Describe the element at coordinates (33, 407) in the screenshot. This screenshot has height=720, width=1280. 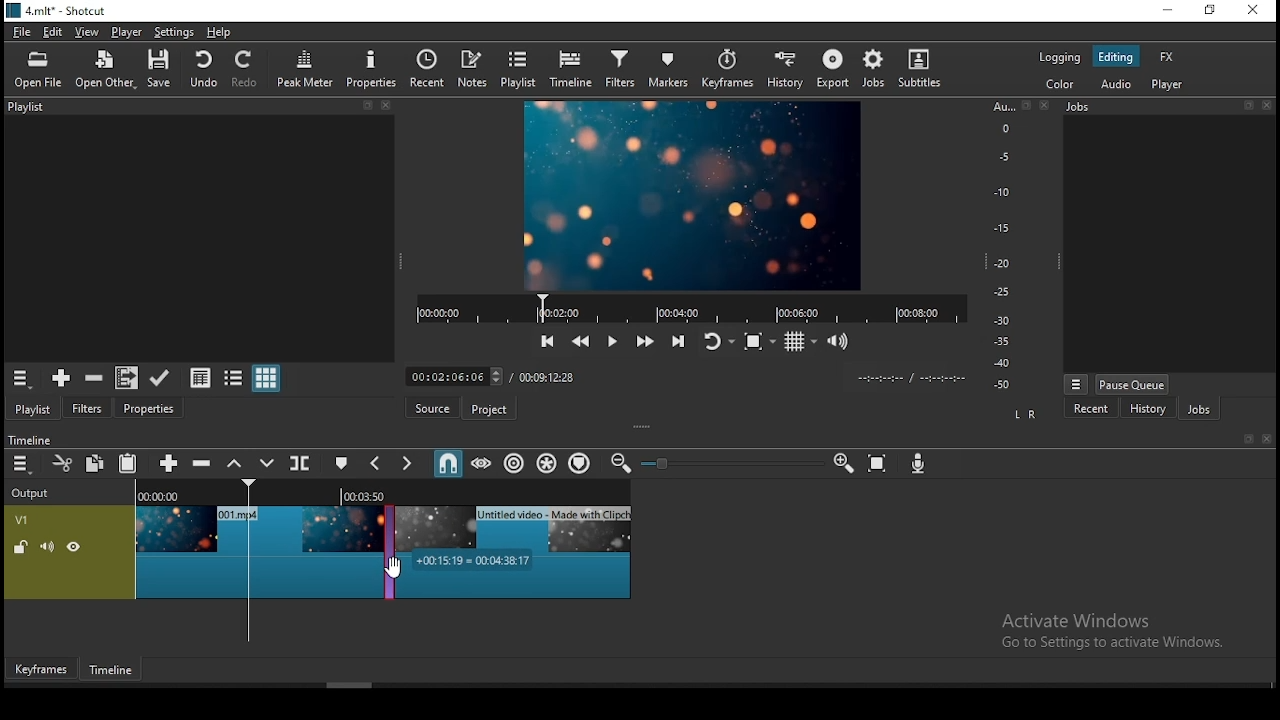
I see `playlist` at that location.